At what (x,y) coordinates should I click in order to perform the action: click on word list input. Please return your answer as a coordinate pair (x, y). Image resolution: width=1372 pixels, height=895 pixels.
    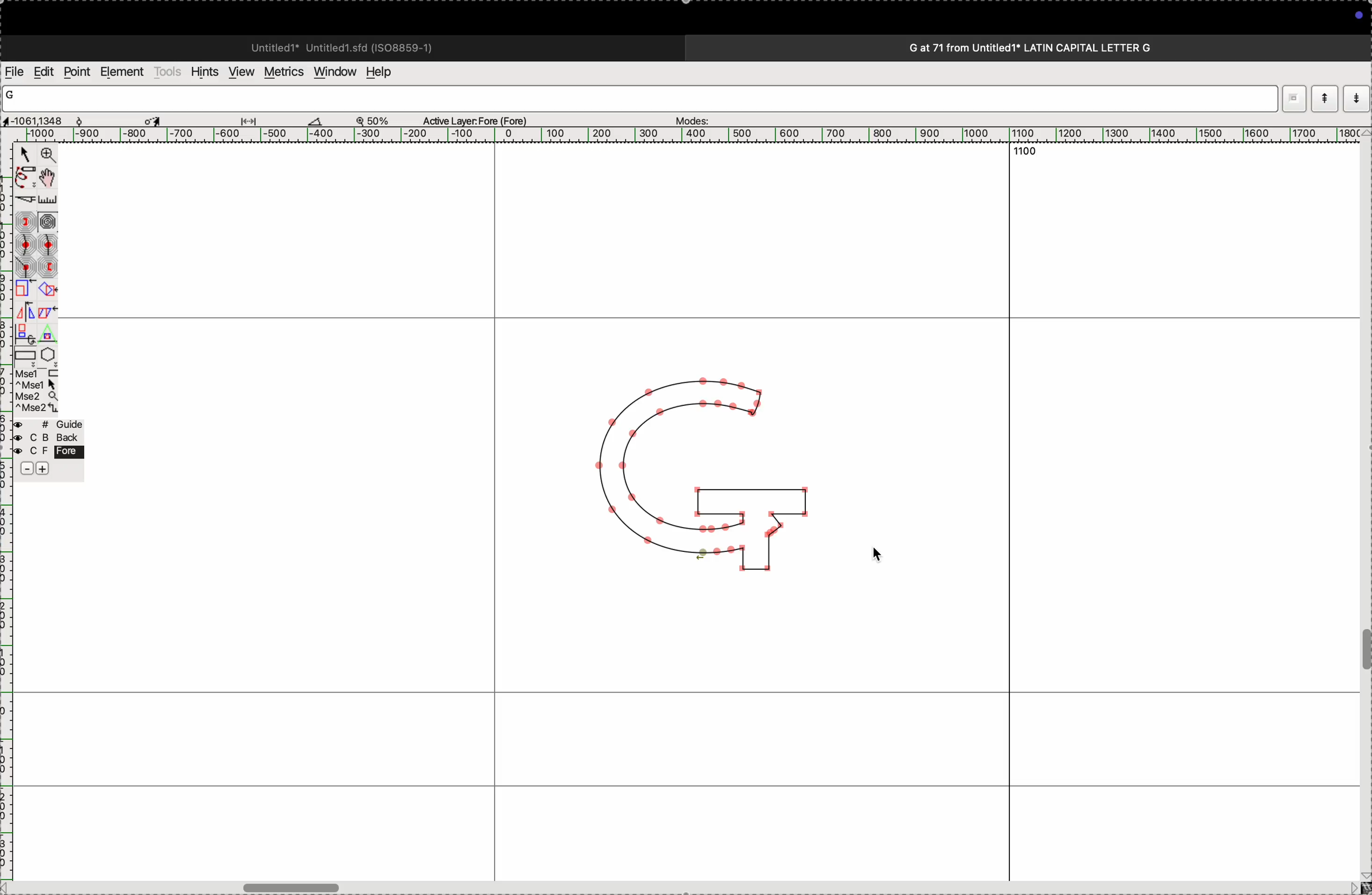
    Looking at the image, I should click on (642, 99).